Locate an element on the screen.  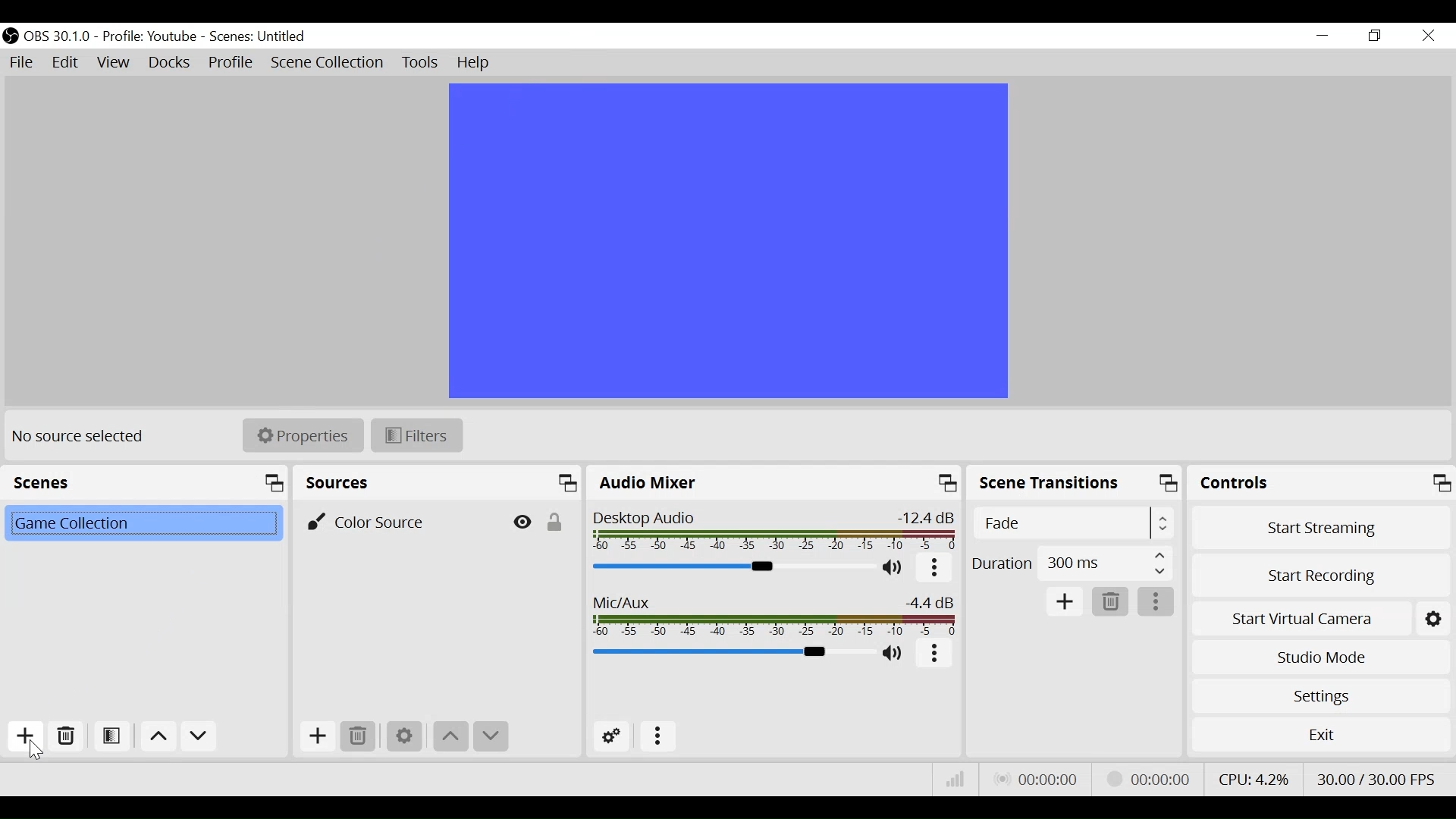
(un)select Duration is located at coordinates (1072, 563).